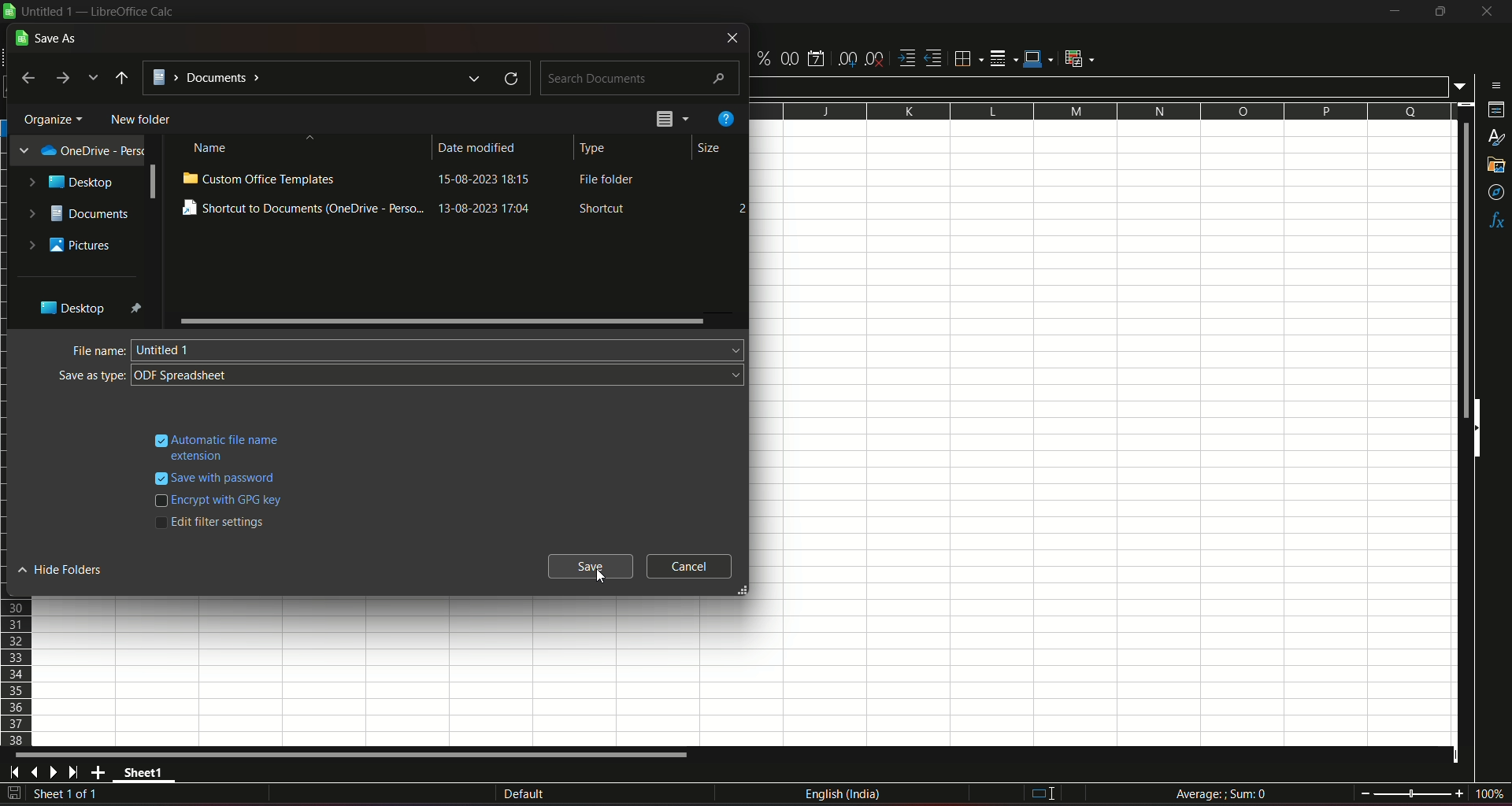 Image resolution: width=1512 pixels, height=806 pixels. Describe the element at coordinates (14, 793) in the screenshot. I see `save` at that location.